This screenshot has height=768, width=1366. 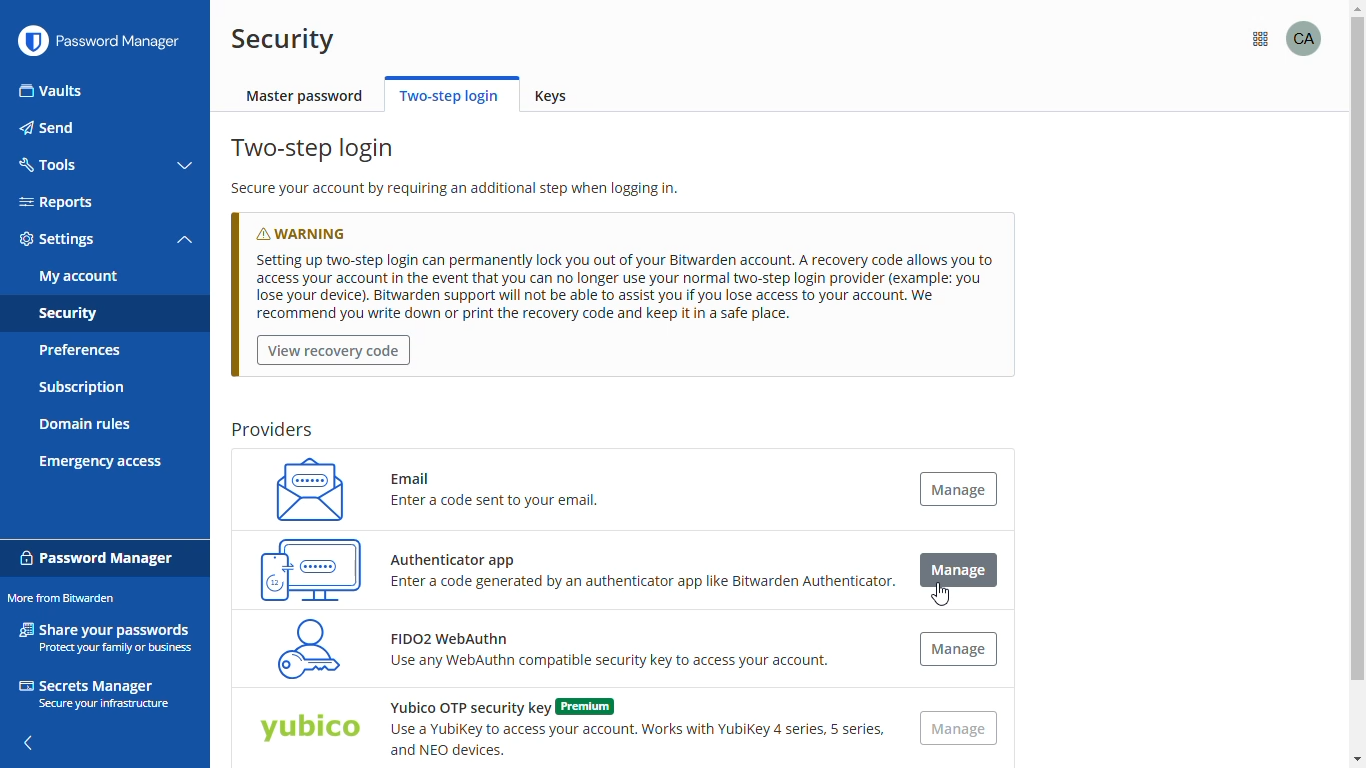 What do you see at coordinates (303, 488) in the screenshot?
I see `email` at bounding box center [303, 488].